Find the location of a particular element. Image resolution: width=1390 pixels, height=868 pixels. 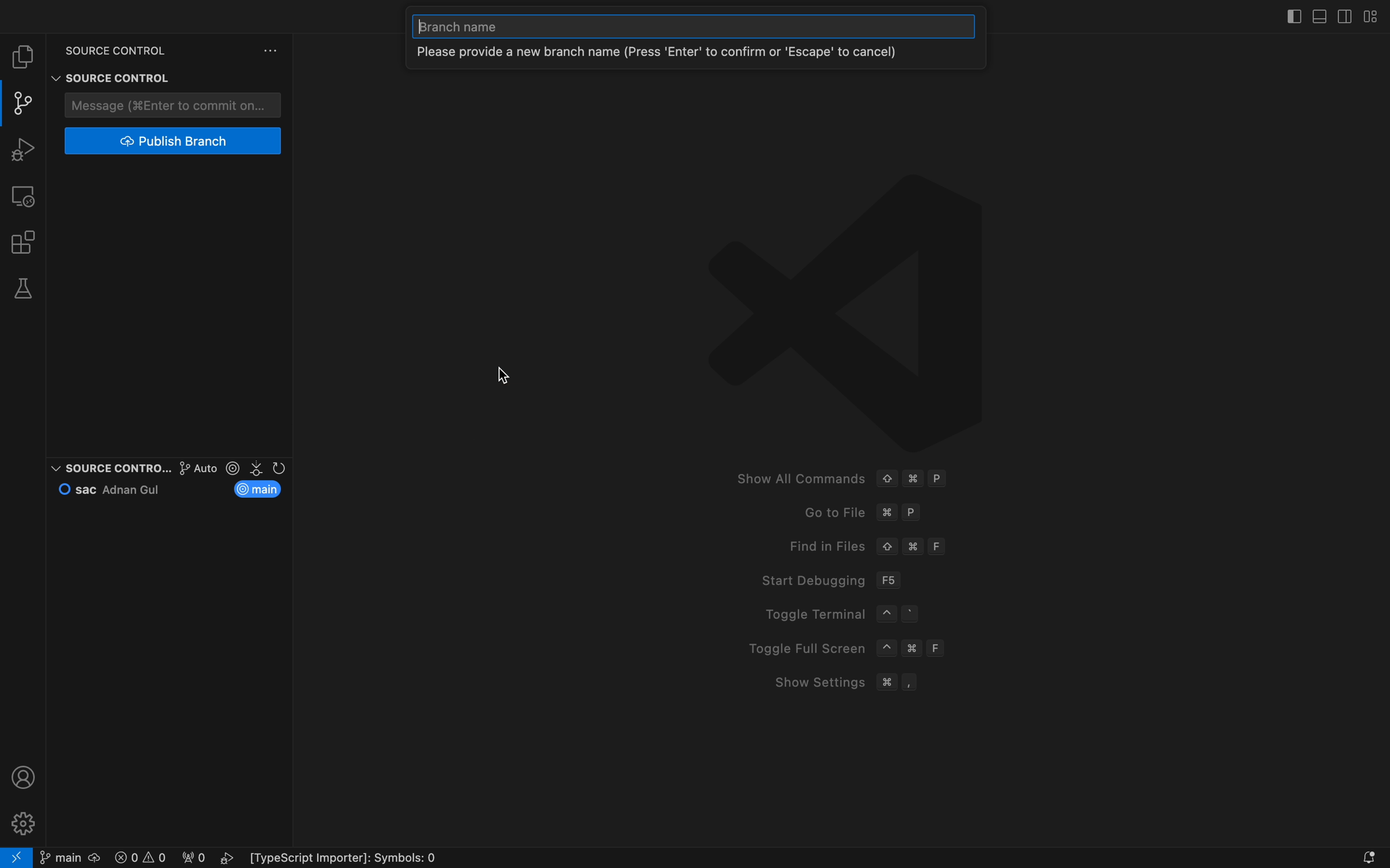

graph is located at coordinates (183, 468).